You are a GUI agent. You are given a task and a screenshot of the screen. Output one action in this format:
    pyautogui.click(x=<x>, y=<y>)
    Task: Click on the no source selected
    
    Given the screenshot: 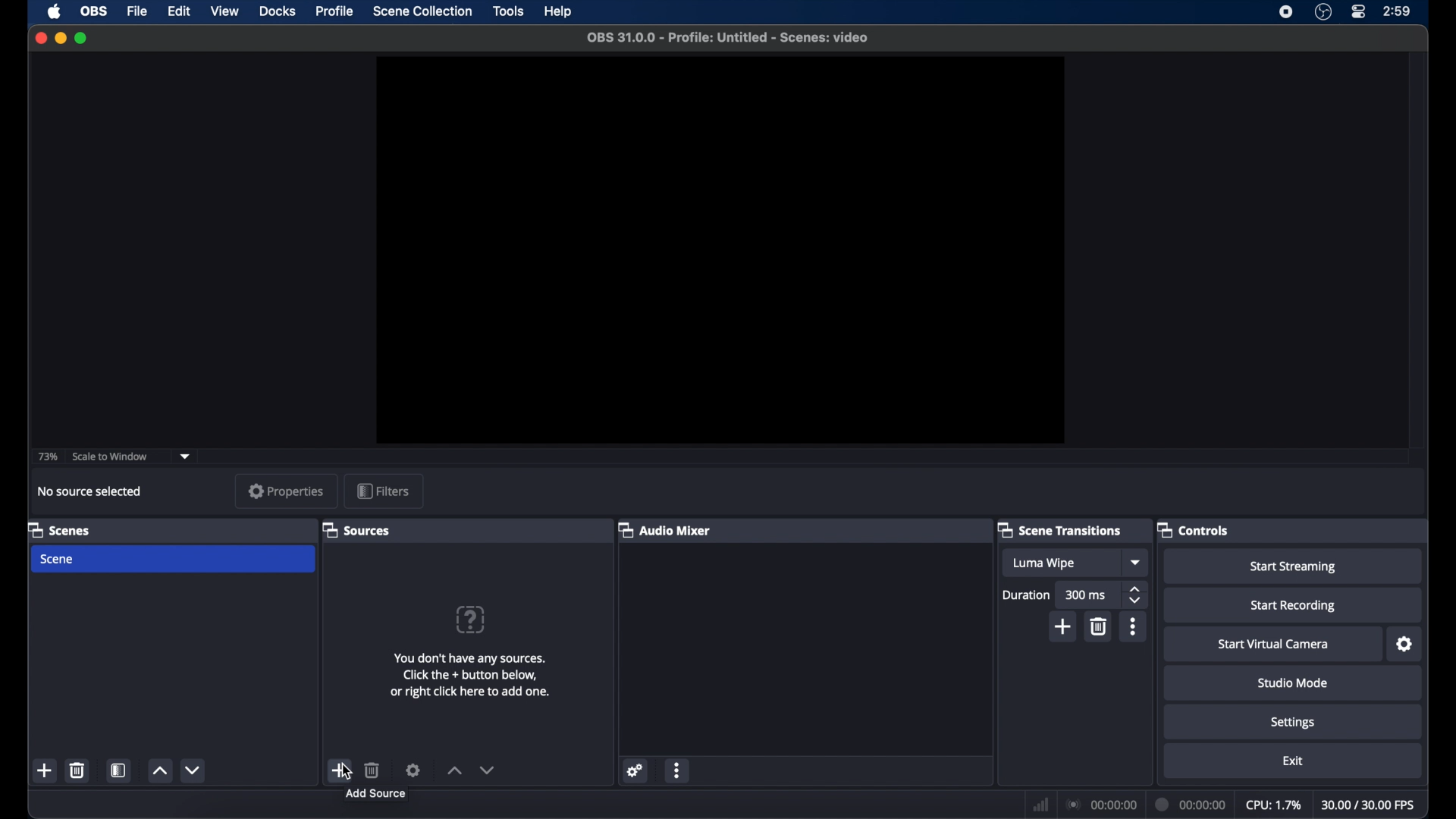 What is the action you would take?
    pyautogui.click(x=93, y=491)
    